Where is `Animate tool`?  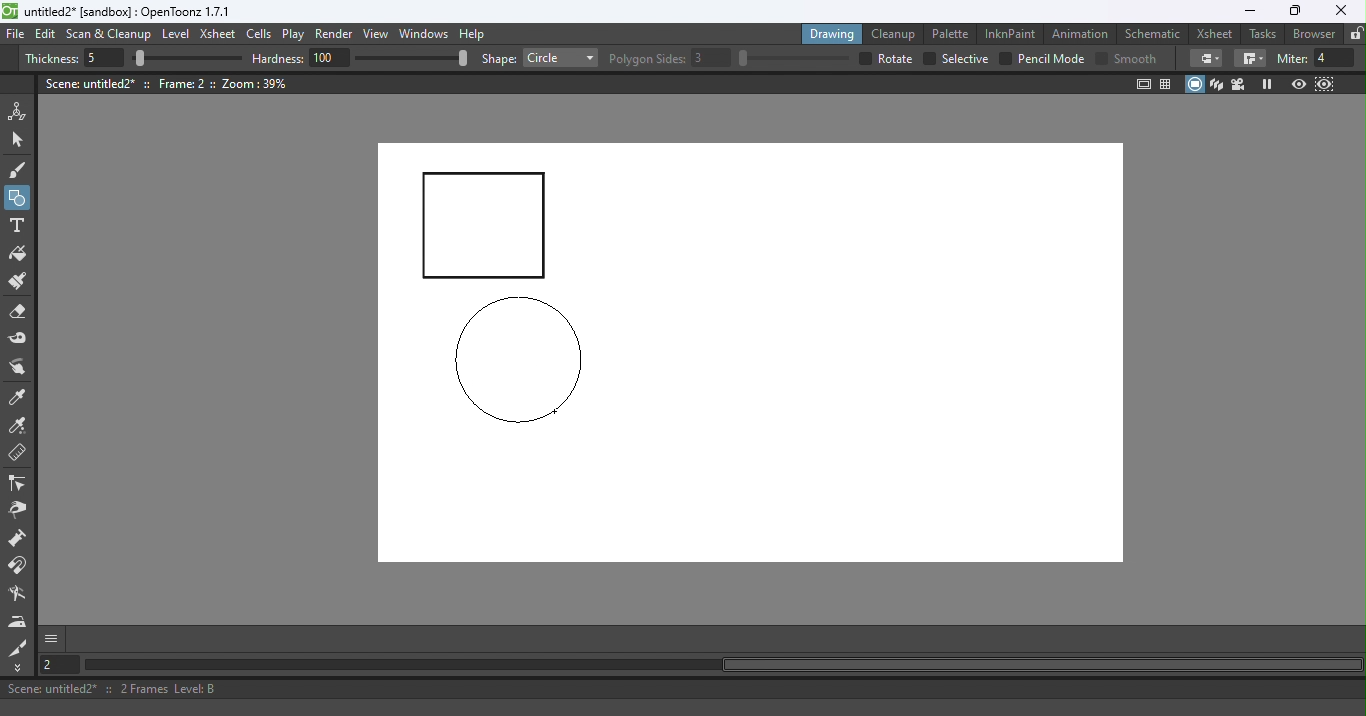 Animate tool is located at coordinates (21, 111).